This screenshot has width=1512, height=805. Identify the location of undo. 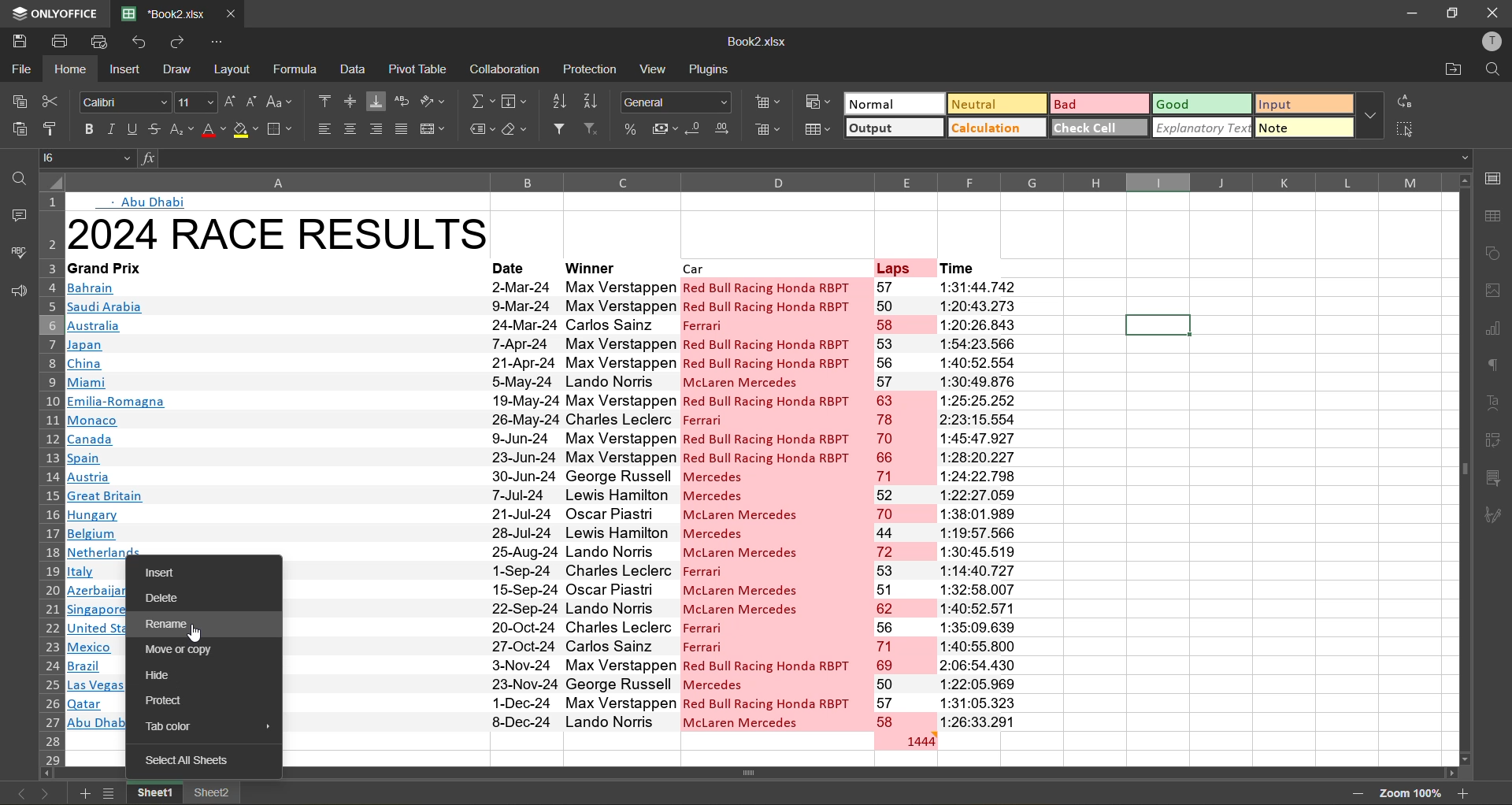
(143, 43).